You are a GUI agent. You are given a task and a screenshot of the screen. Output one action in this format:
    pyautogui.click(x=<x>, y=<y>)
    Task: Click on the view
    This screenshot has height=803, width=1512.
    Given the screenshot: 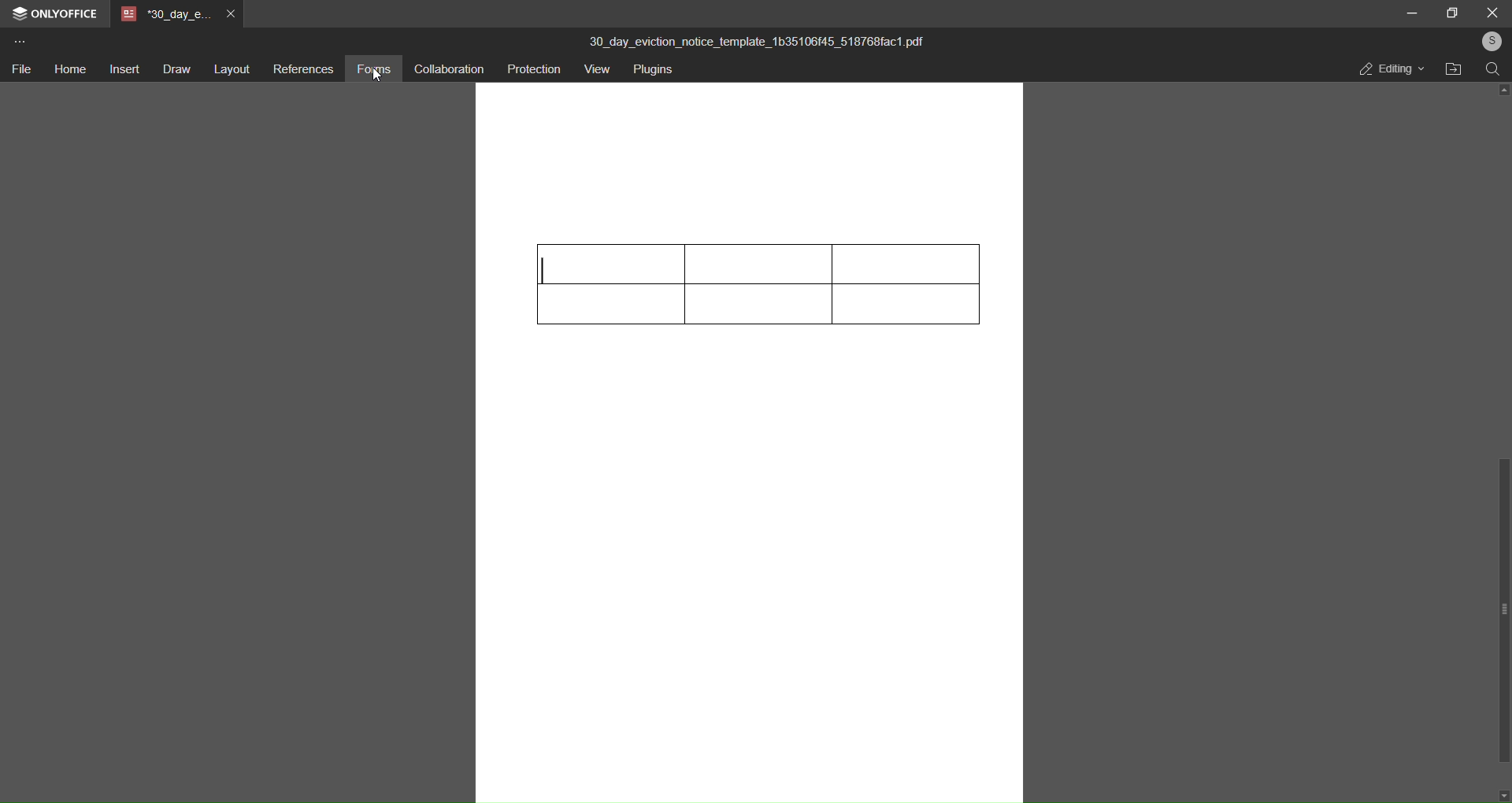 What is the action you would take?
    pyautogui.click(x=599, y=72)
    